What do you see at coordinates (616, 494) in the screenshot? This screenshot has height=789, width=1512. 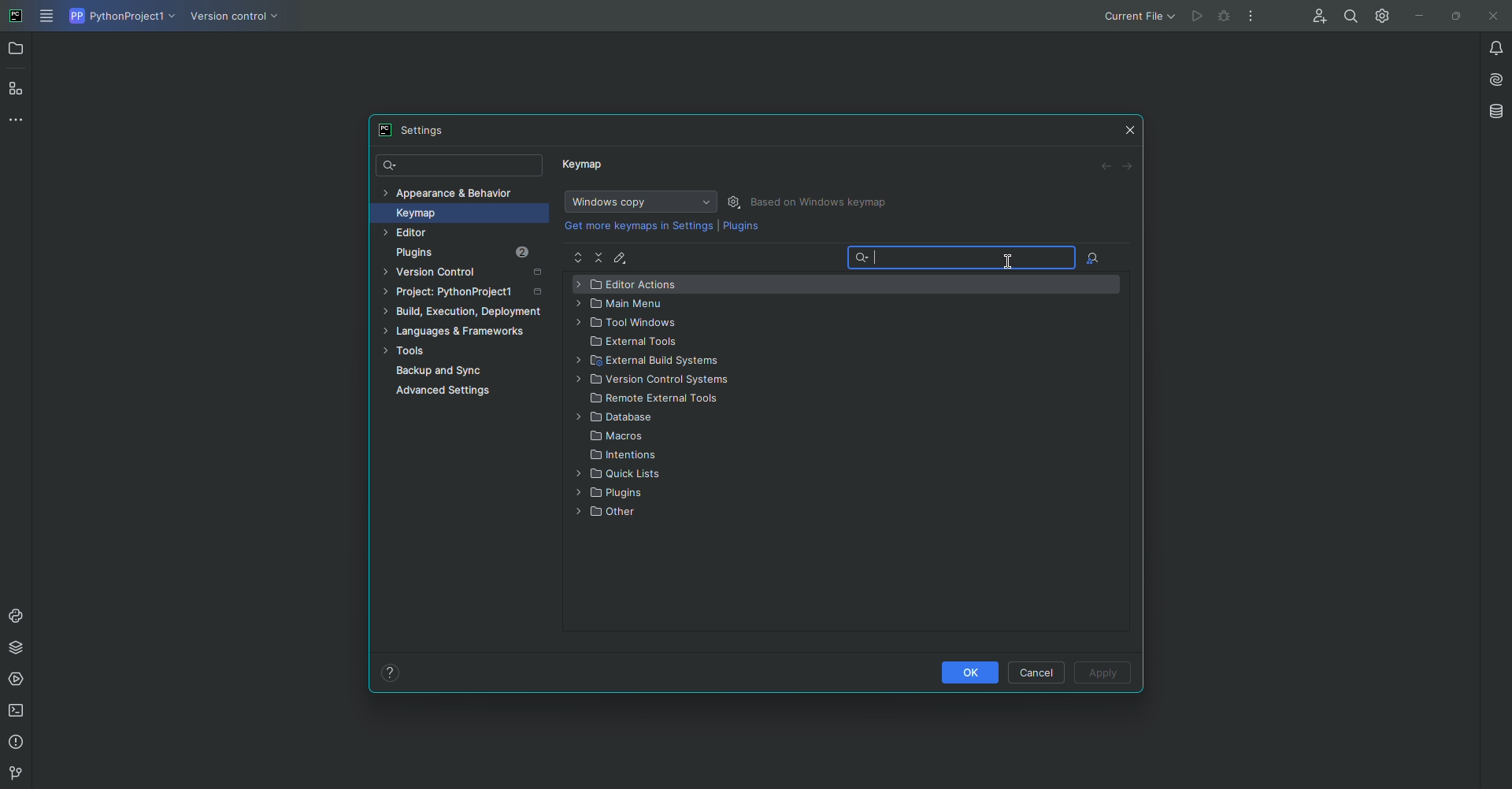 I see `Plugins` at bounding box center [616, 494].